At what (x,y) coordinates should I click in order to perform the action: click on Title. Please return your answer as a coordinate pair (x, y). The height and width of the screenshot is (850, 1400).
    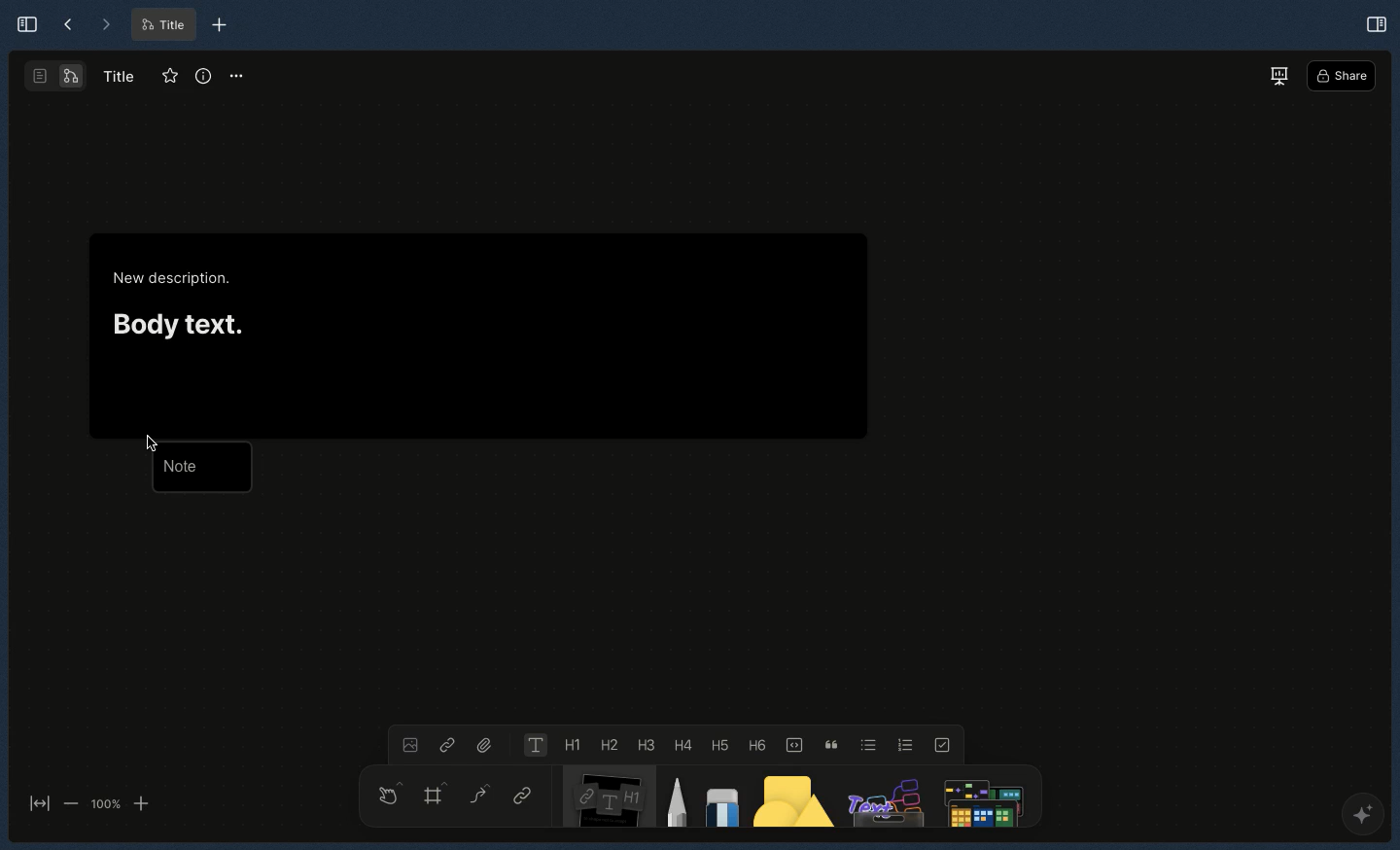
    Looking at the image, I should click on (161, 25).